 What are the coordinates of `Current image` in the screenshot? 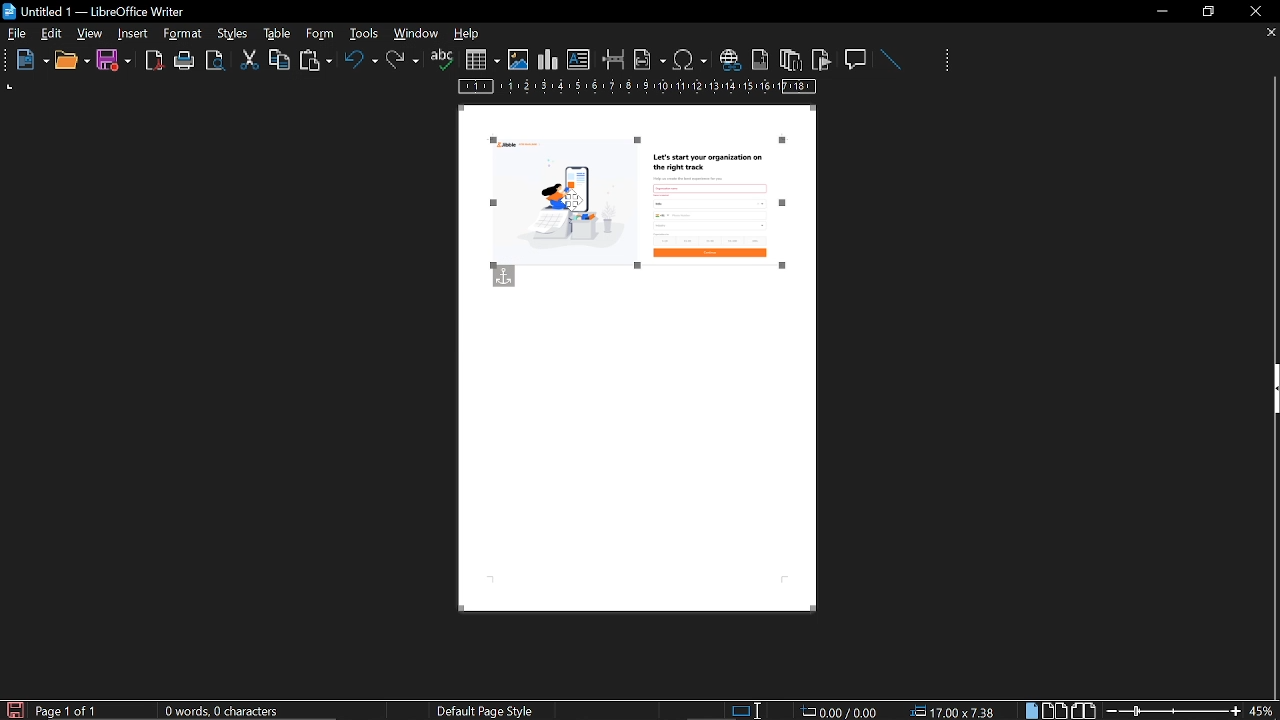 It's located at (646, 217).